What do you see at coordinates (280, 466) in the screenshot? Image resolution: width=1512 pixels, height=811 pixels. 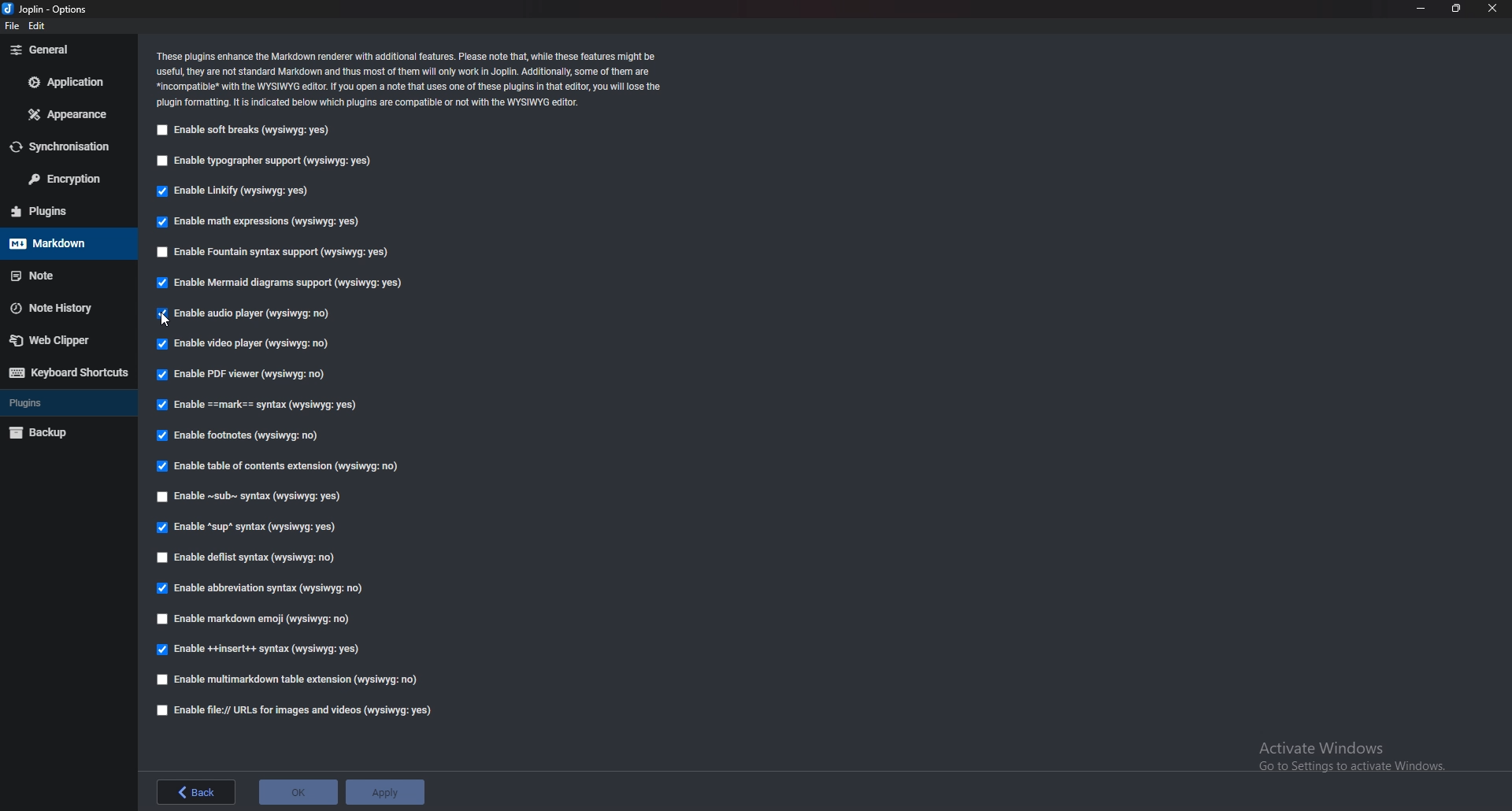 I see `Enable table of contents extension` at bounding box center [280, 466].